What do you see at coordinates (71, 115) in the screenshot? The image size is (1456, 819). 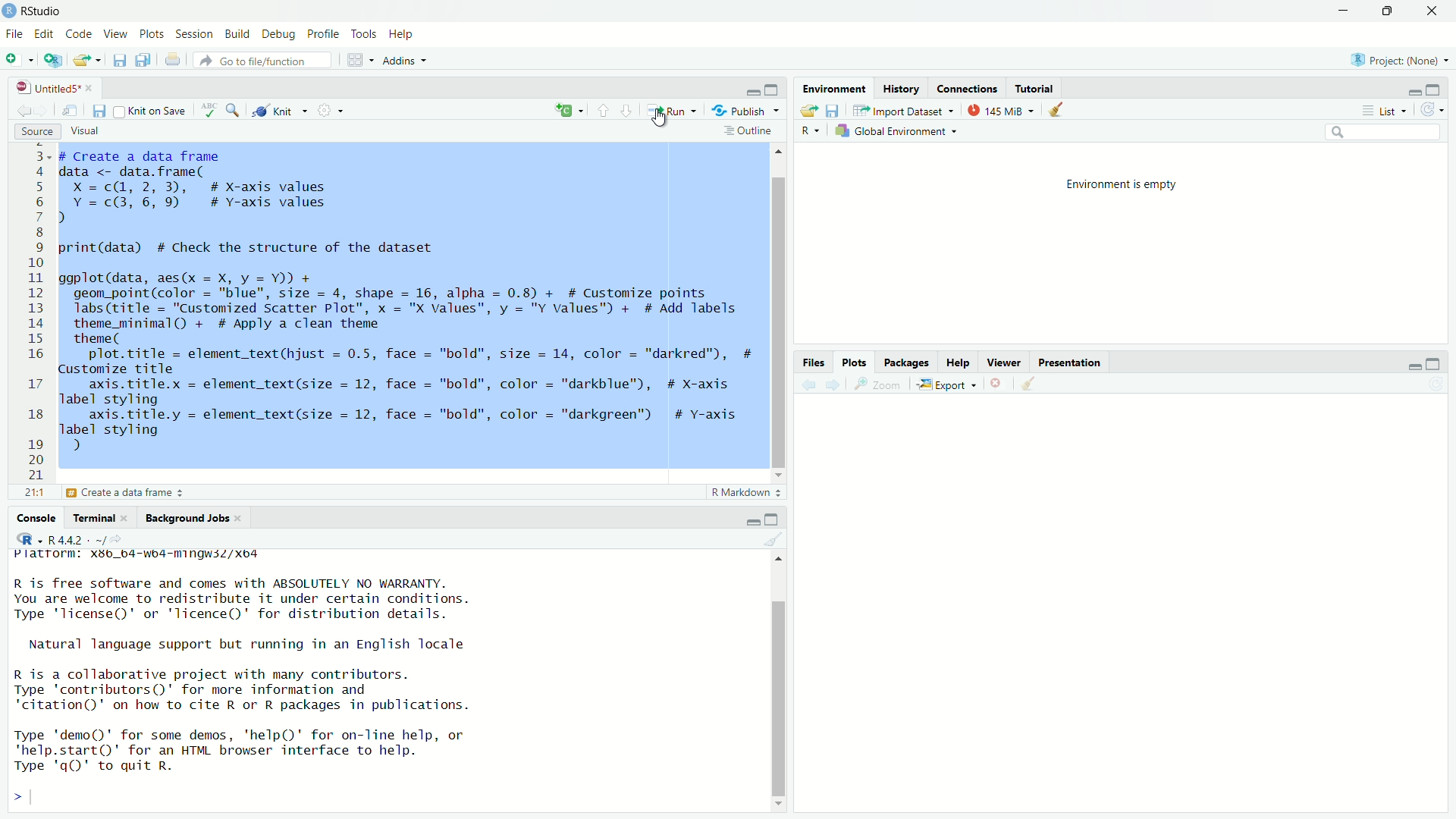 I see `Show in the new window` at bounding box center [71, 115].